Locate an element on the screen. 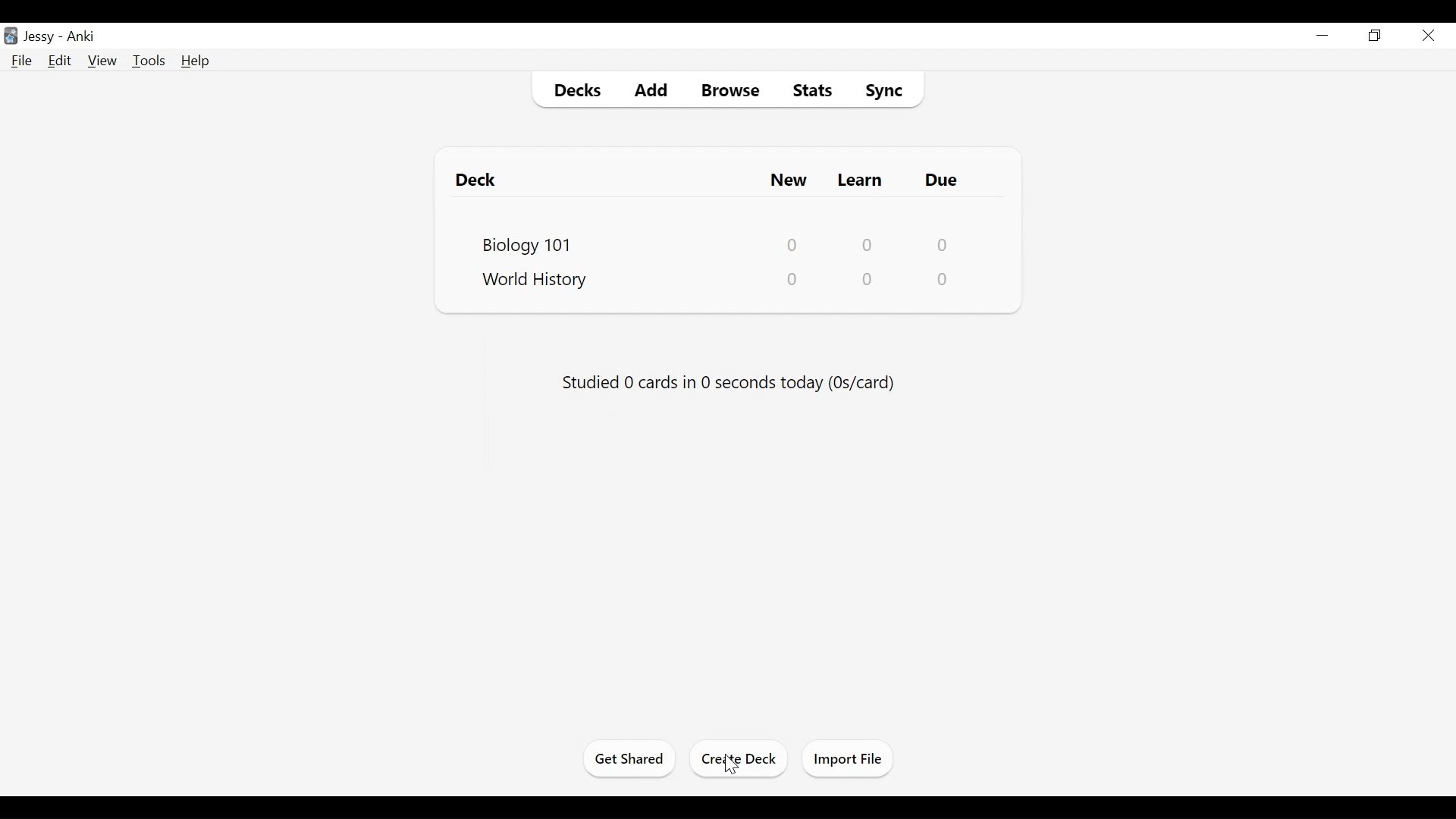 Image resolution: width=1456 pixels, height=819 pixels. Stats is located at coordinates (808, 87).